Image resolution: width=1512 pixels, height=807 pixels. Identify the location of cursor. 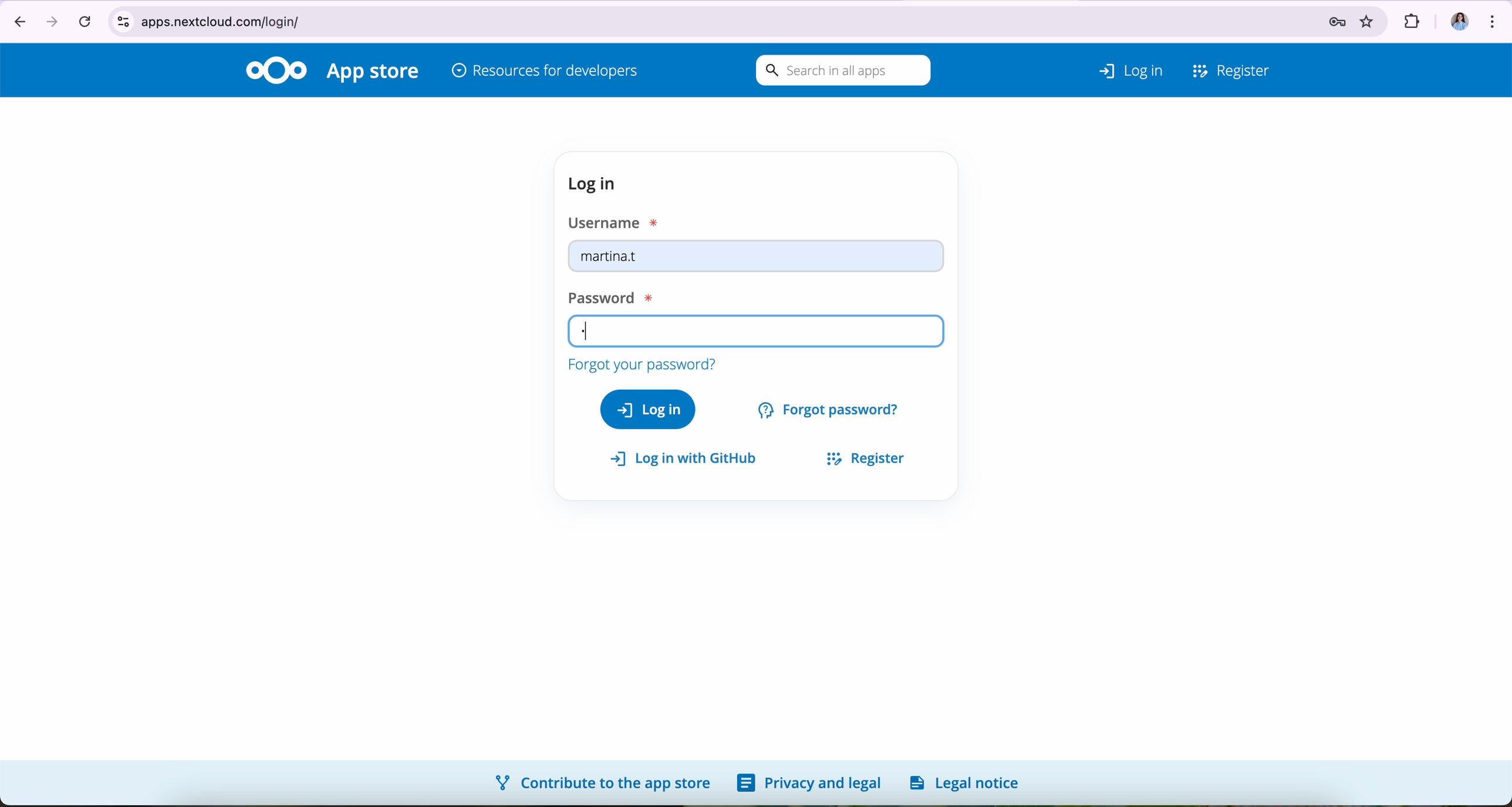
(689, 333).